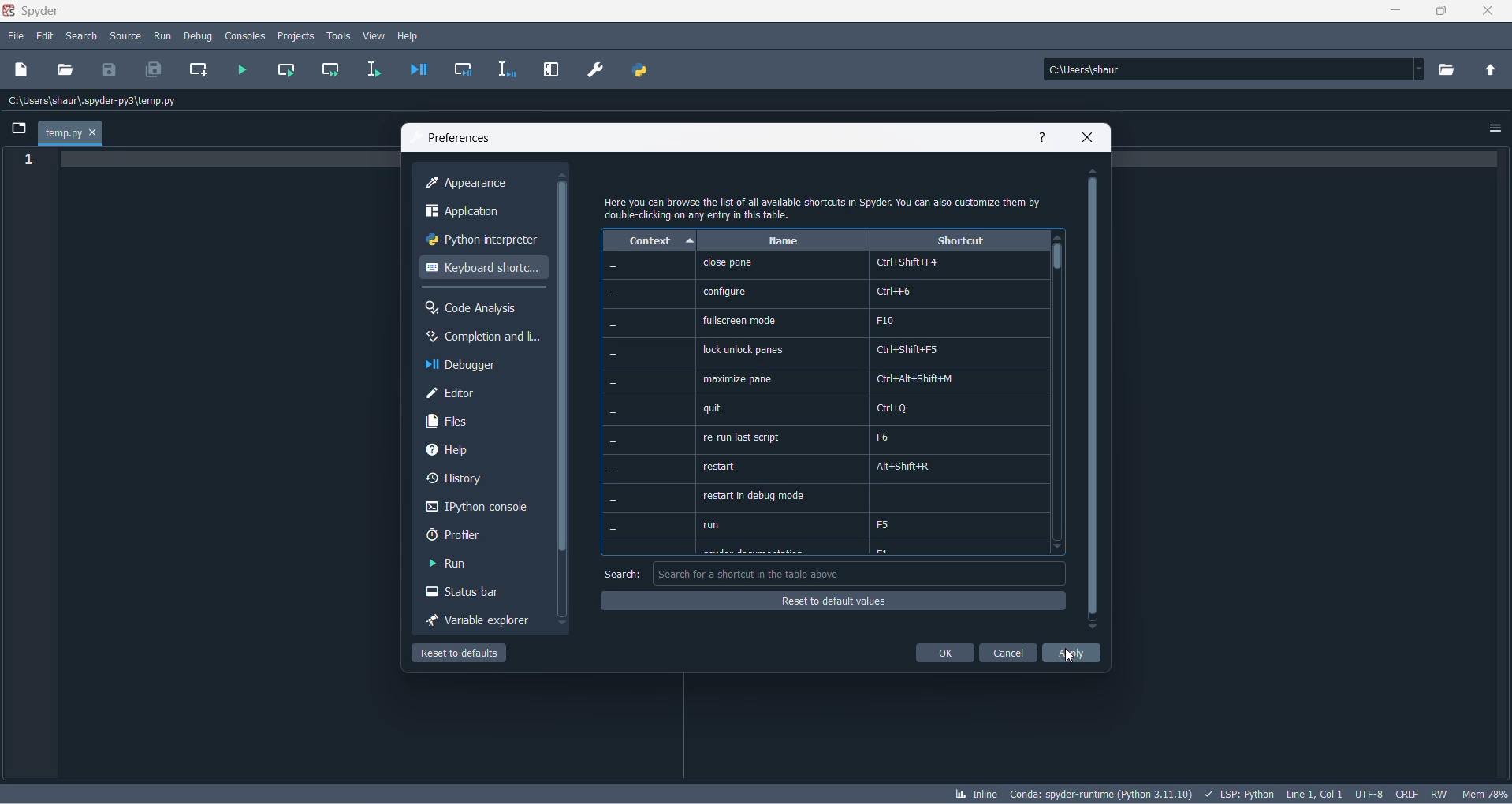 This screenshot has height=804, width=1512. What do you see at coordinates (883, 319) in the screenshot?
I see `F10` at bounding box center [883, 319].